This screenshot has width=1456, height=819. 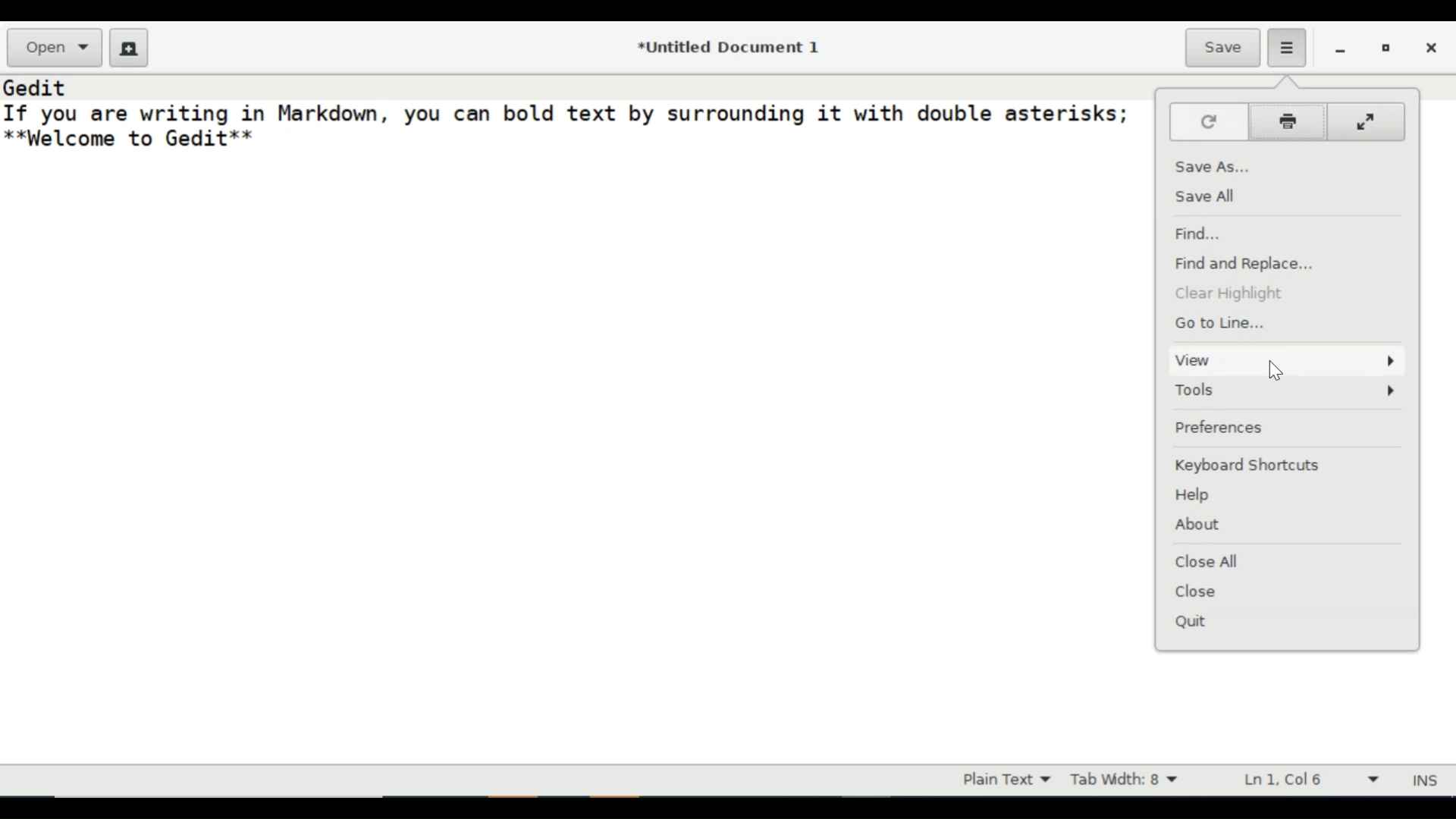 What do you see at coordinates (1250, 463) in the screenshot?
I see `Keyboard Shortcuts` at bounding box center [1250, 463].